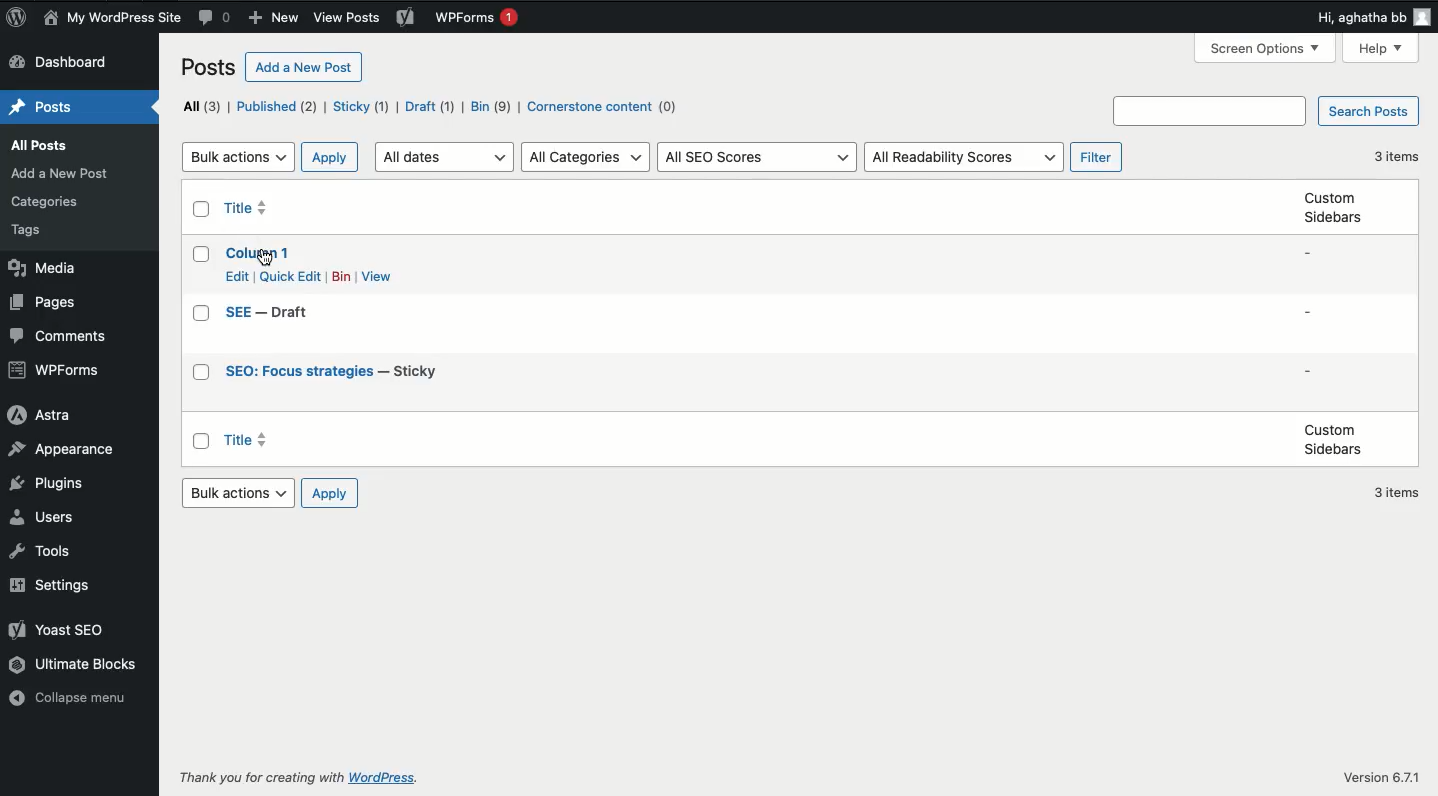 The width and height of the screenshot is (1438, 796). I want to click on WPForms, so click(481, 18).